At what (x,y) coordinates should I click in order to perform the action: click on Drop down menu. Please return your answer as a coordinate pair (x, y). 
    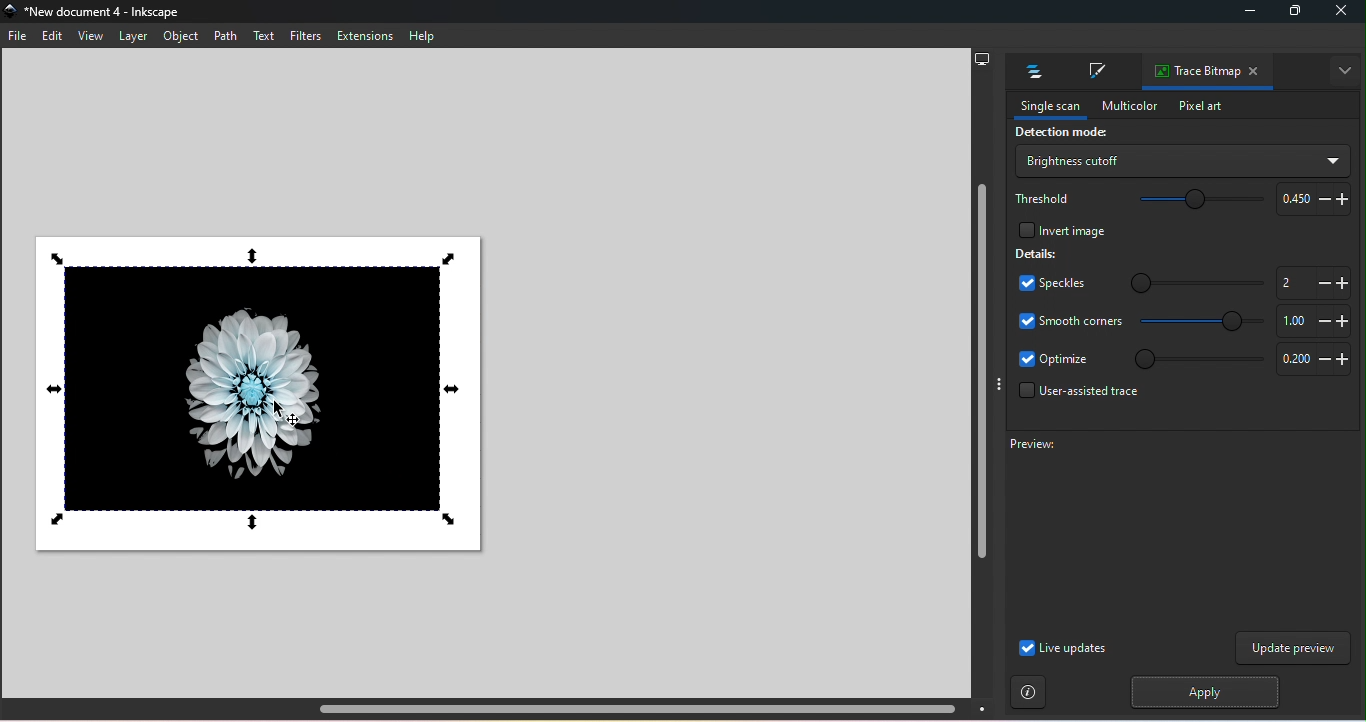
    Looking at the image, I should click on (1181, 164).